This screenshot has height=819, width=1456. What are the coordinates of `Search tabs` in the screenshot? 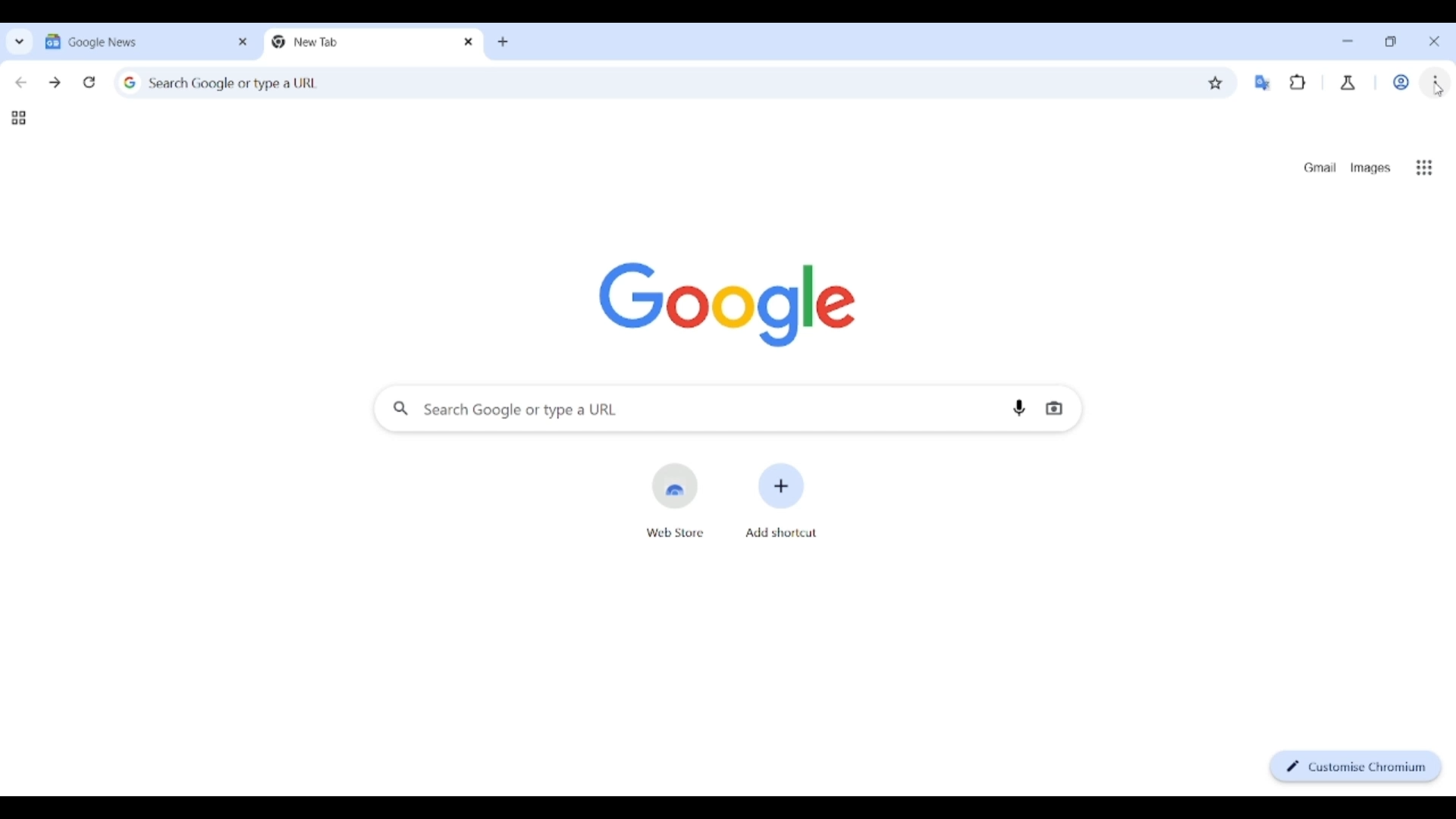 It's located at (20, 41).